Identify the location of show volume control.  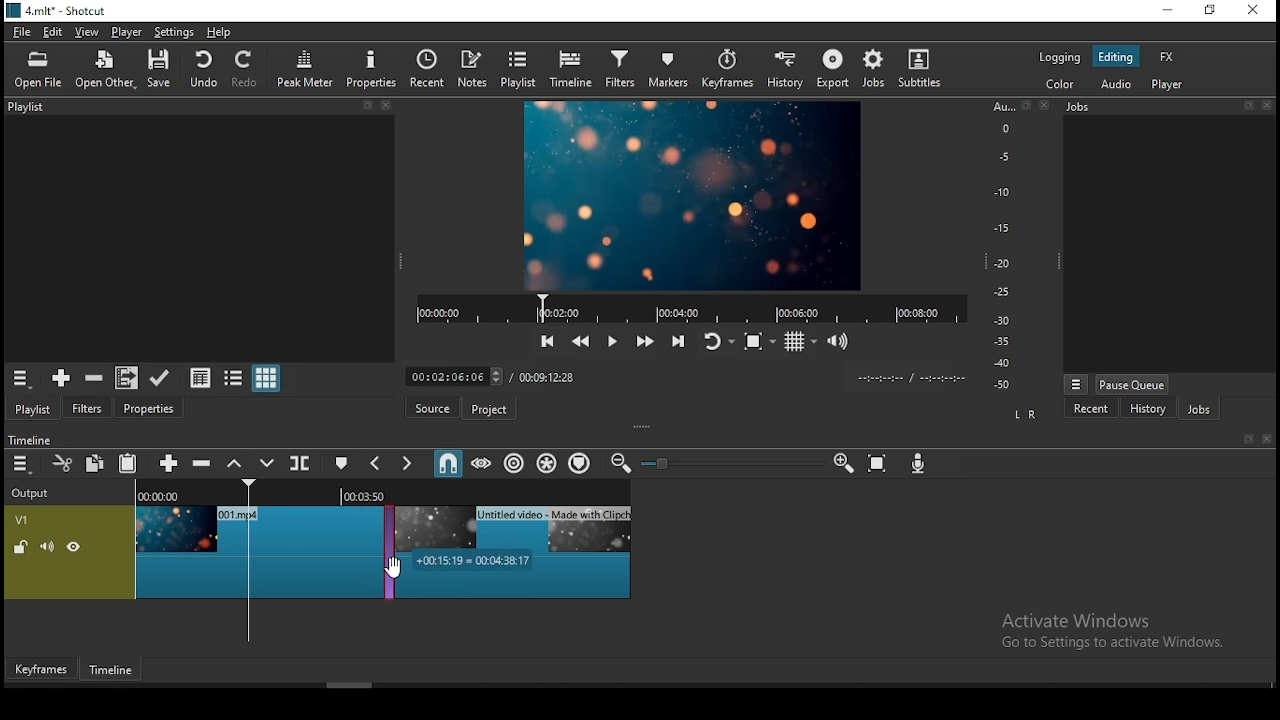
(837, 343).